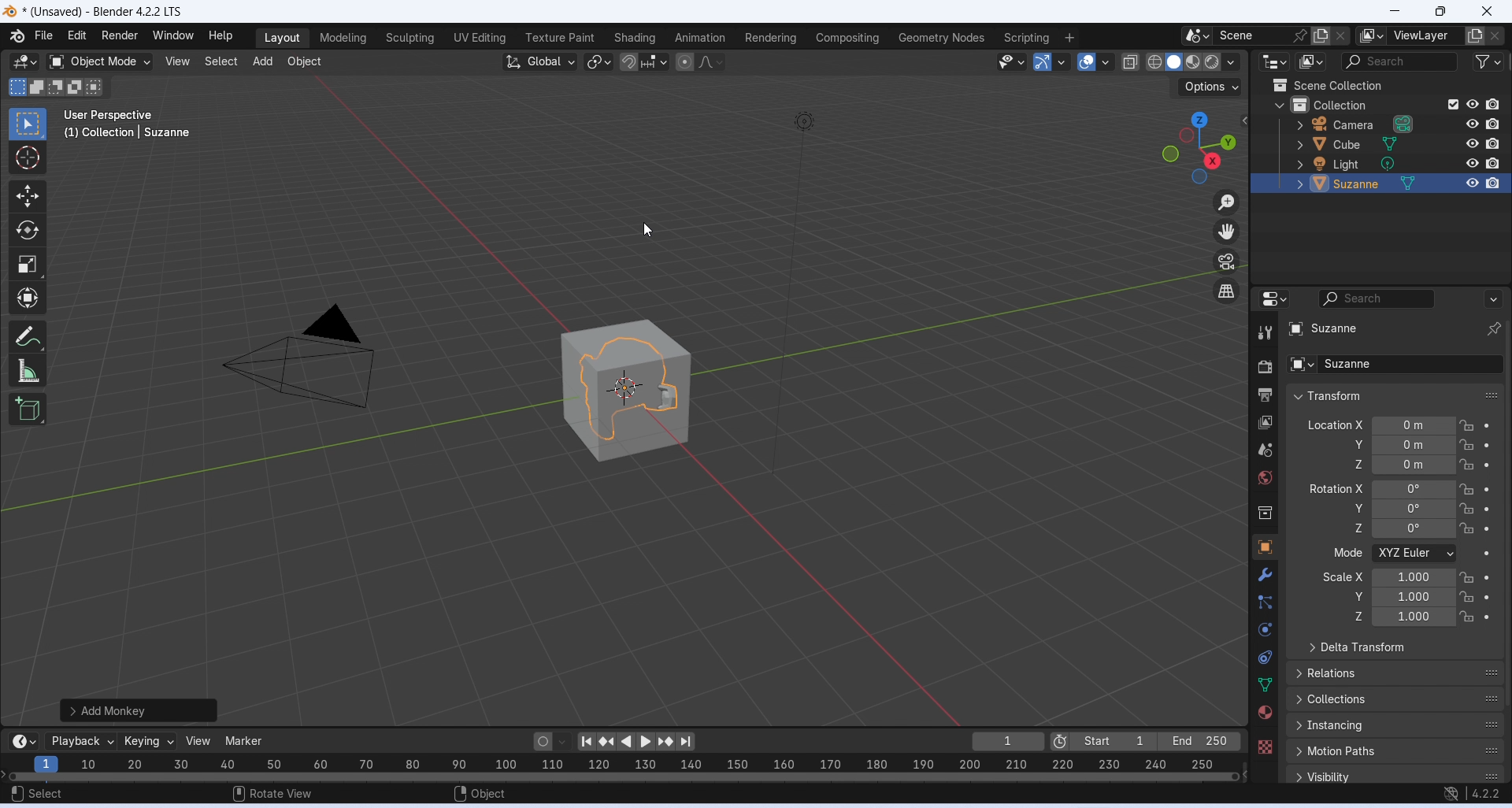 The height and width of the screenshot is (808, 1512). I want to click on disable in renders, so click(1493, 183).